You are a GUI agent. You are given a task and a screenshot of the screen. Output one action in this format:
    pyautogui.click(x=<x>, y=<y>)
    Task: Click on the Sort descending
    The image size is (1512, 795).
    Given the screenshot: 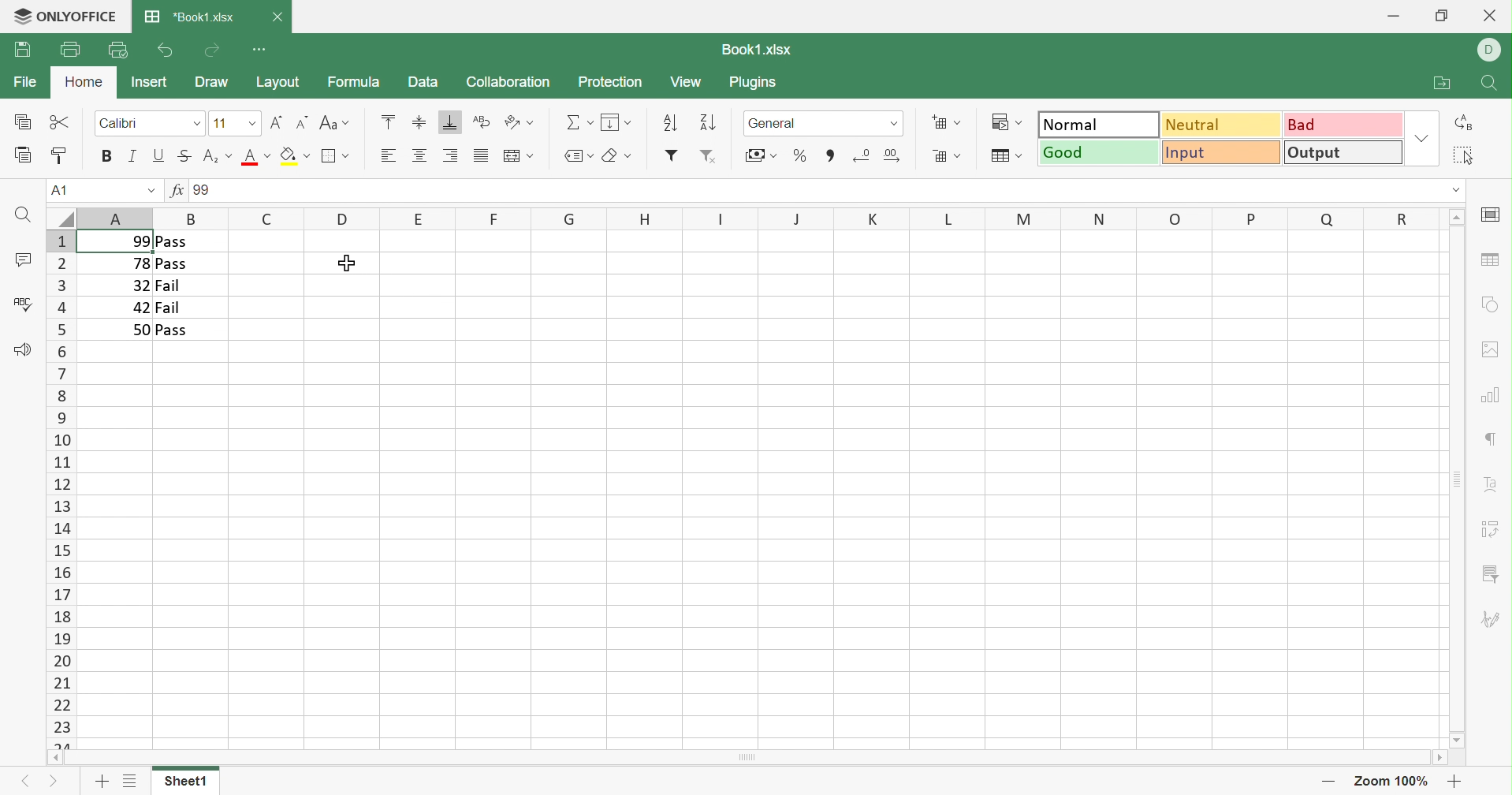 What is the action you would take?
    pyautogui.click(x=709, y=122)
    